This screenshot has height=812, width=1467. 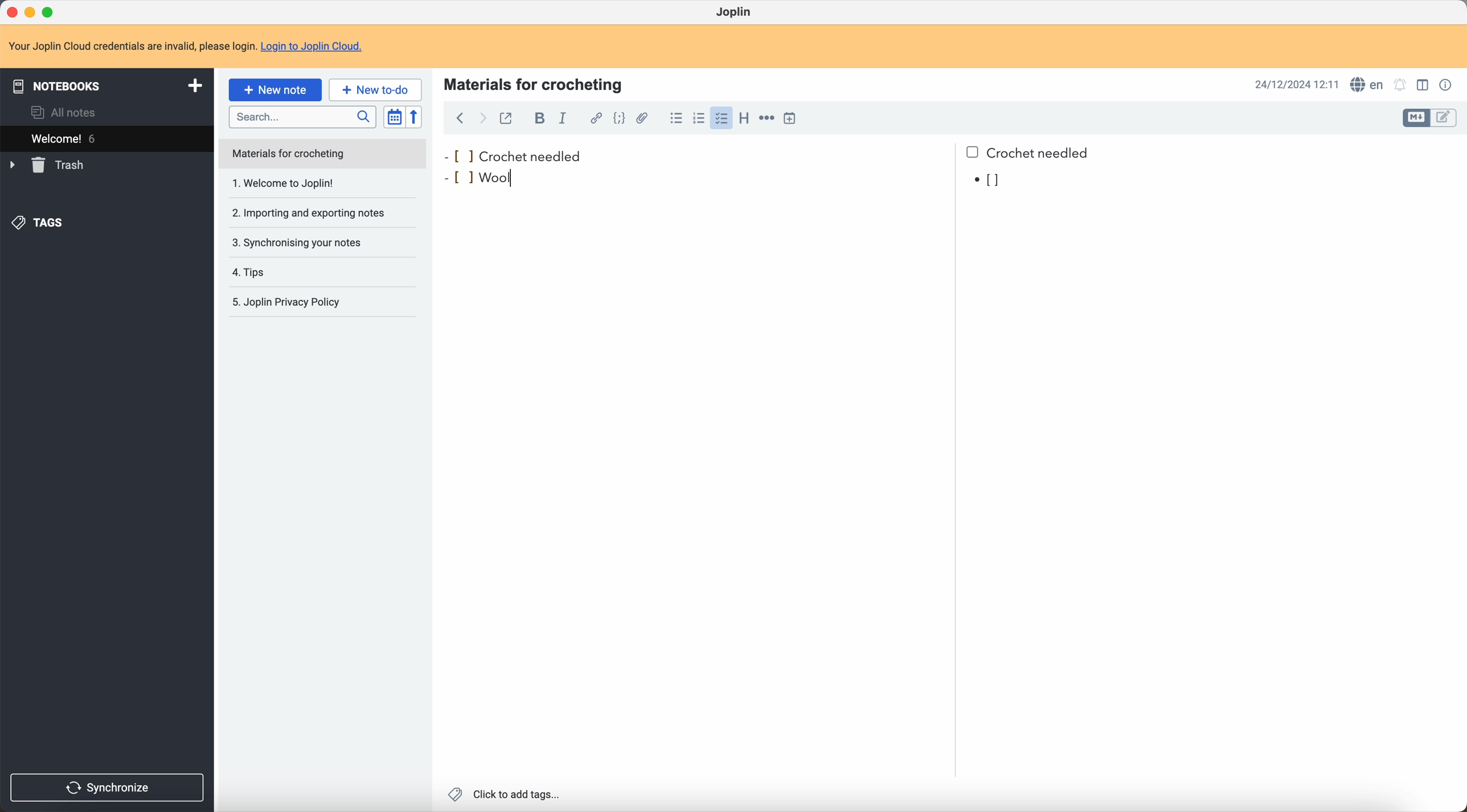 I want to click on Joplin, so click(x=735, y=13).